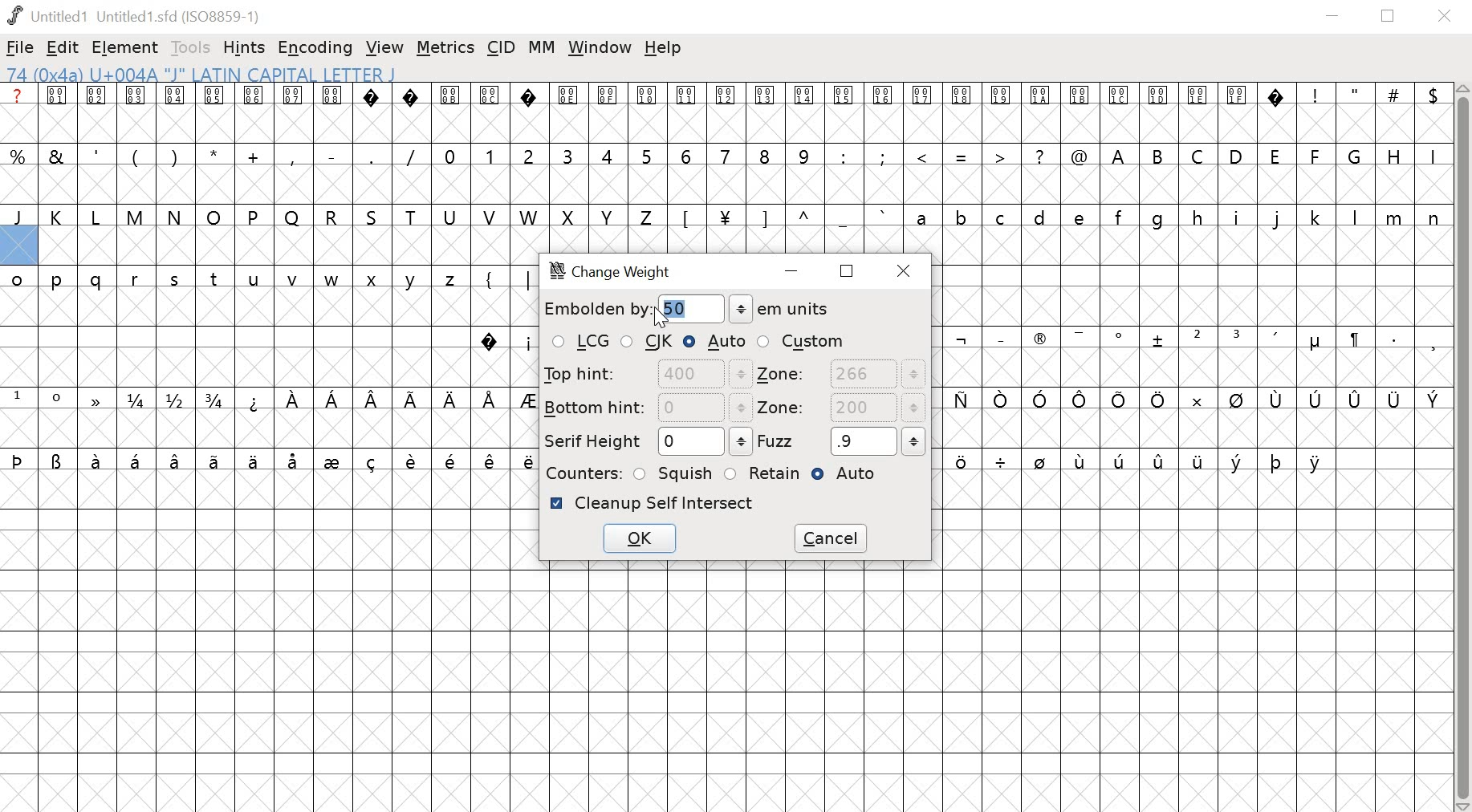 Image resolution: width=1472 pixels, height=812 pixels. Describe the element at coordinates (783, 217) in the screenshot. I see `symbols` at that location.